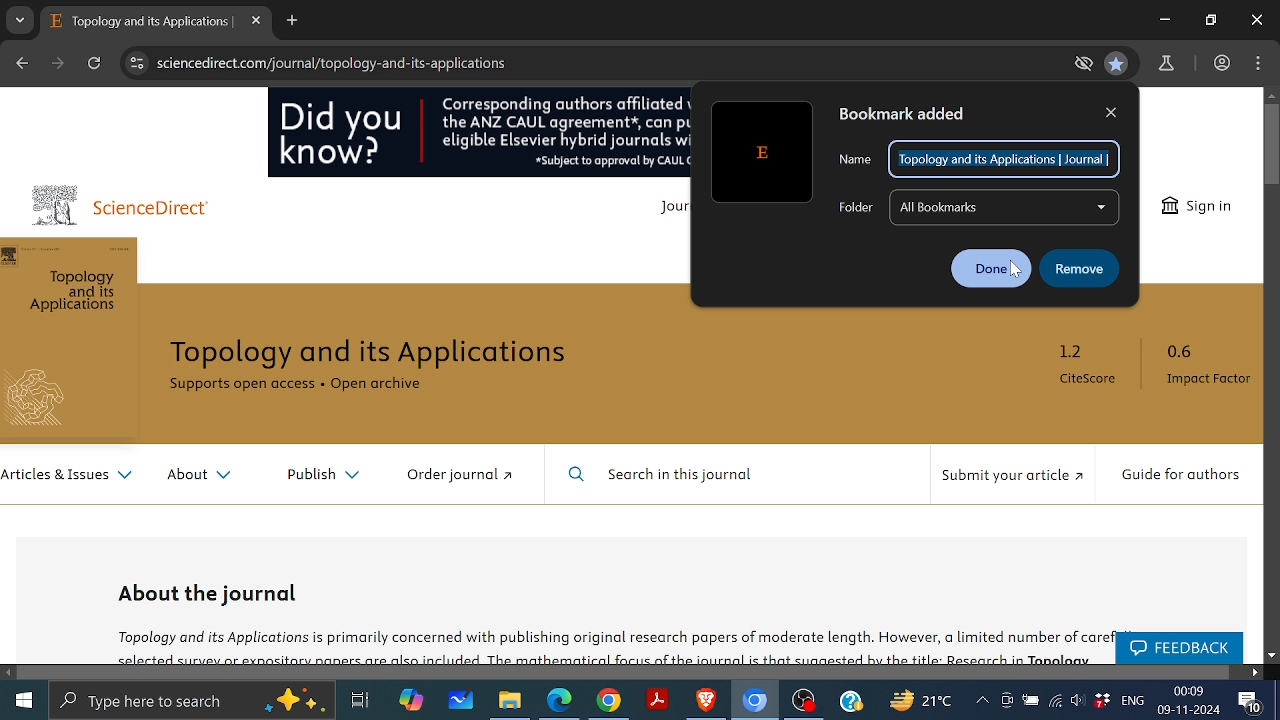 This screenshot has width=1280, height=720. What do you see at coordinates (922, 114) in the screenshot?
I see `bookmark added` at bounding box center [922, 114].